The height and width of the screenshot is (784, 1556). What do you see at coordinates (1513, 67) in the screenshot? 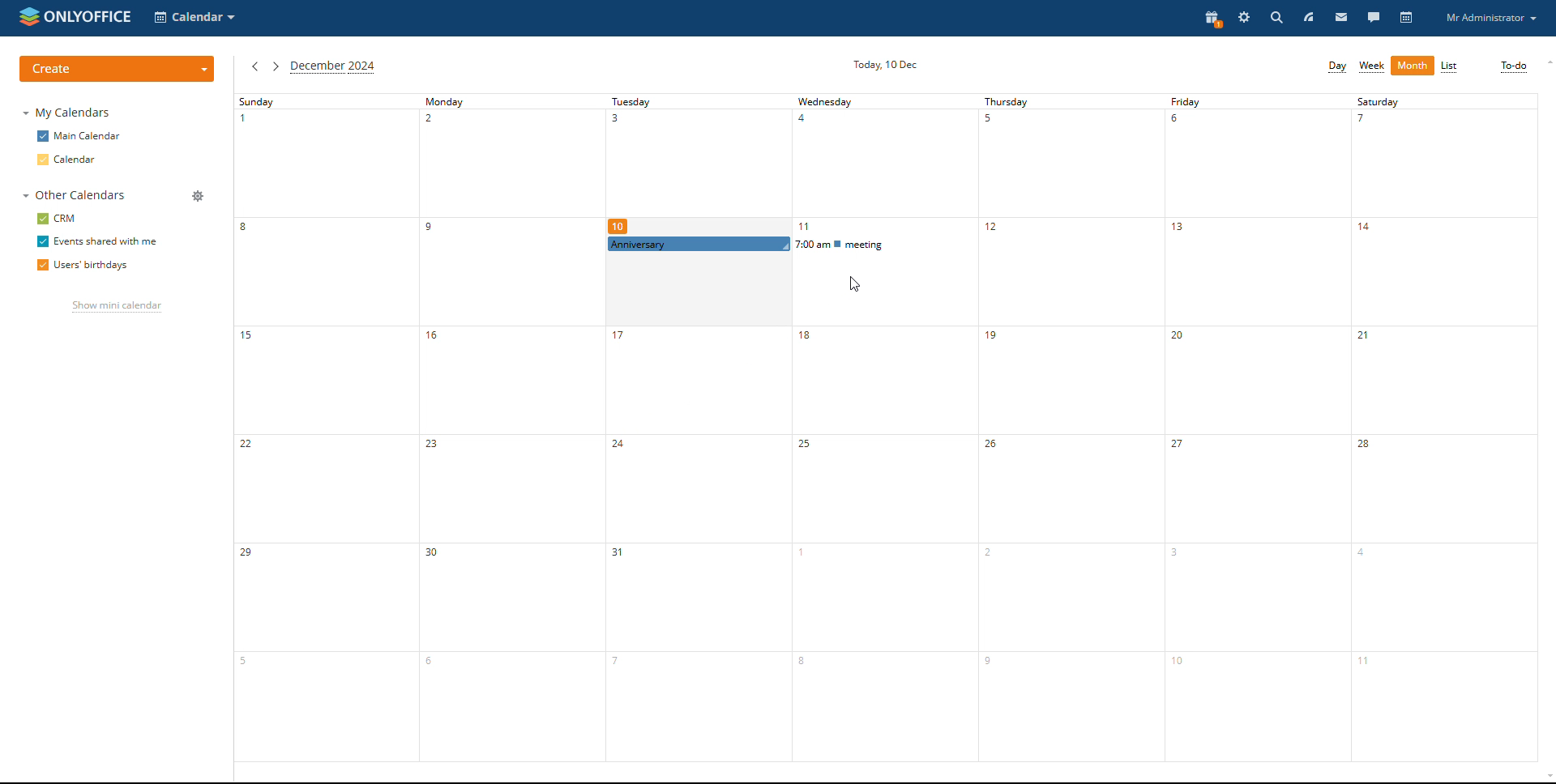
I see `to-do` at bounding box center [1513, 67].